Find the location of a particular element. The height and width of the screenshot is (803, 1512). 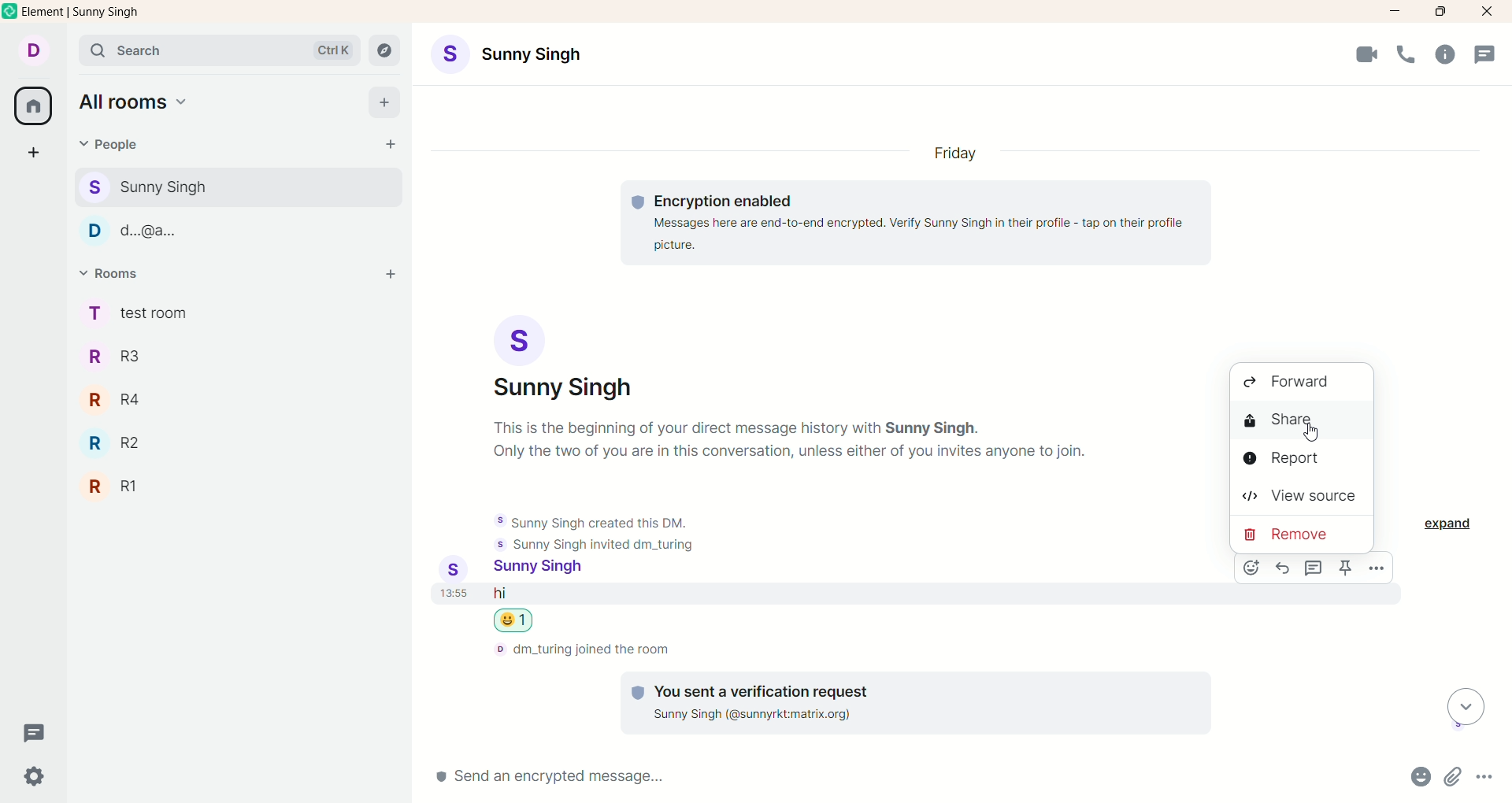

emojis is located at coordinates (1414, 779).